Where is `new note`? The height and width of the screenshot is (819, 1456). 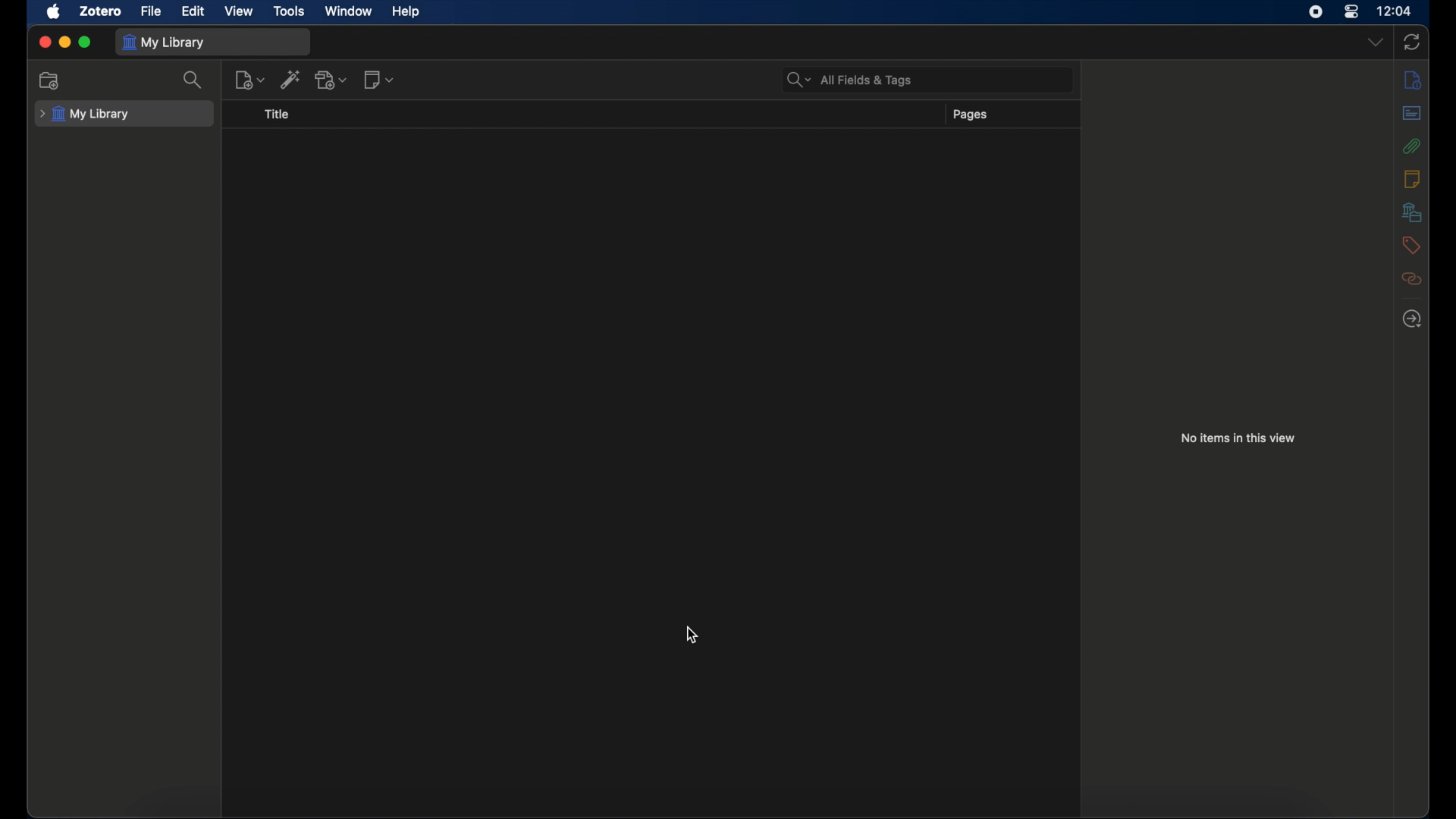
new note is located at coordinates (378, 79).